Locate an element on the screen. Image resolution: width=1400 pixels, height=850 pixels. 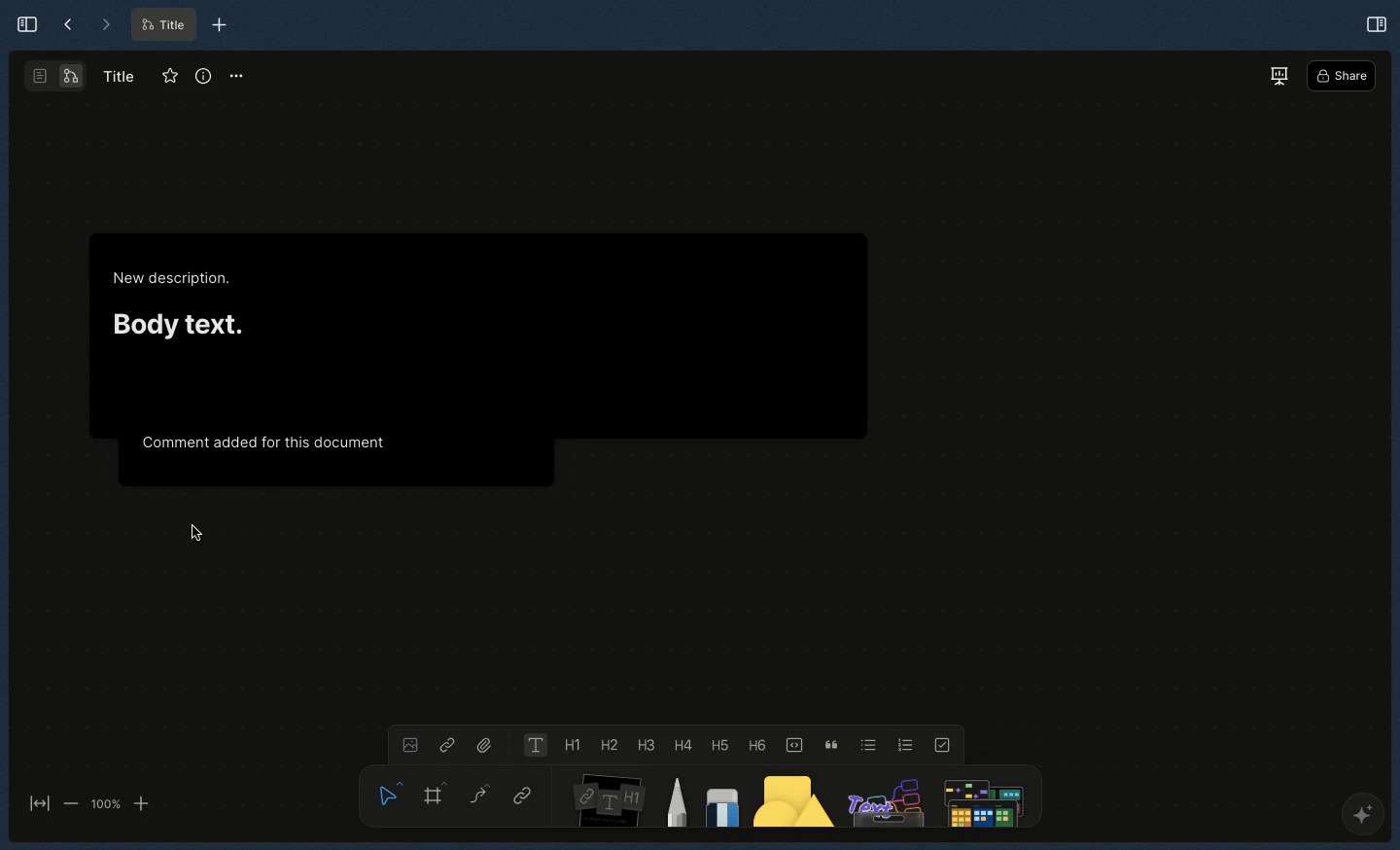
Curve is located at coordinates (478, 793).